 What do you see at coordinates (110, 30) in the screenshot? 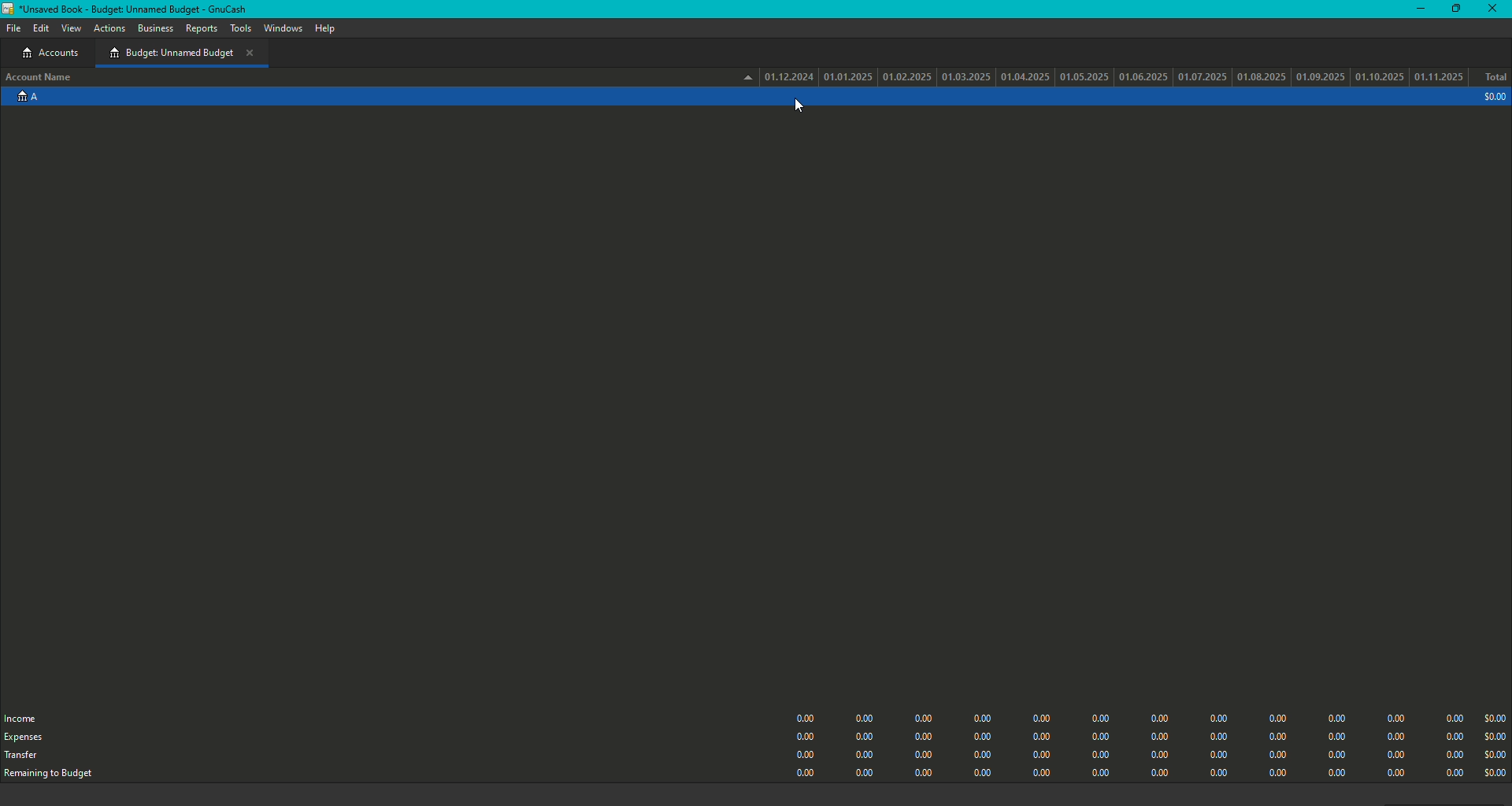
I see `Actions` at bounding box center [110, 30].